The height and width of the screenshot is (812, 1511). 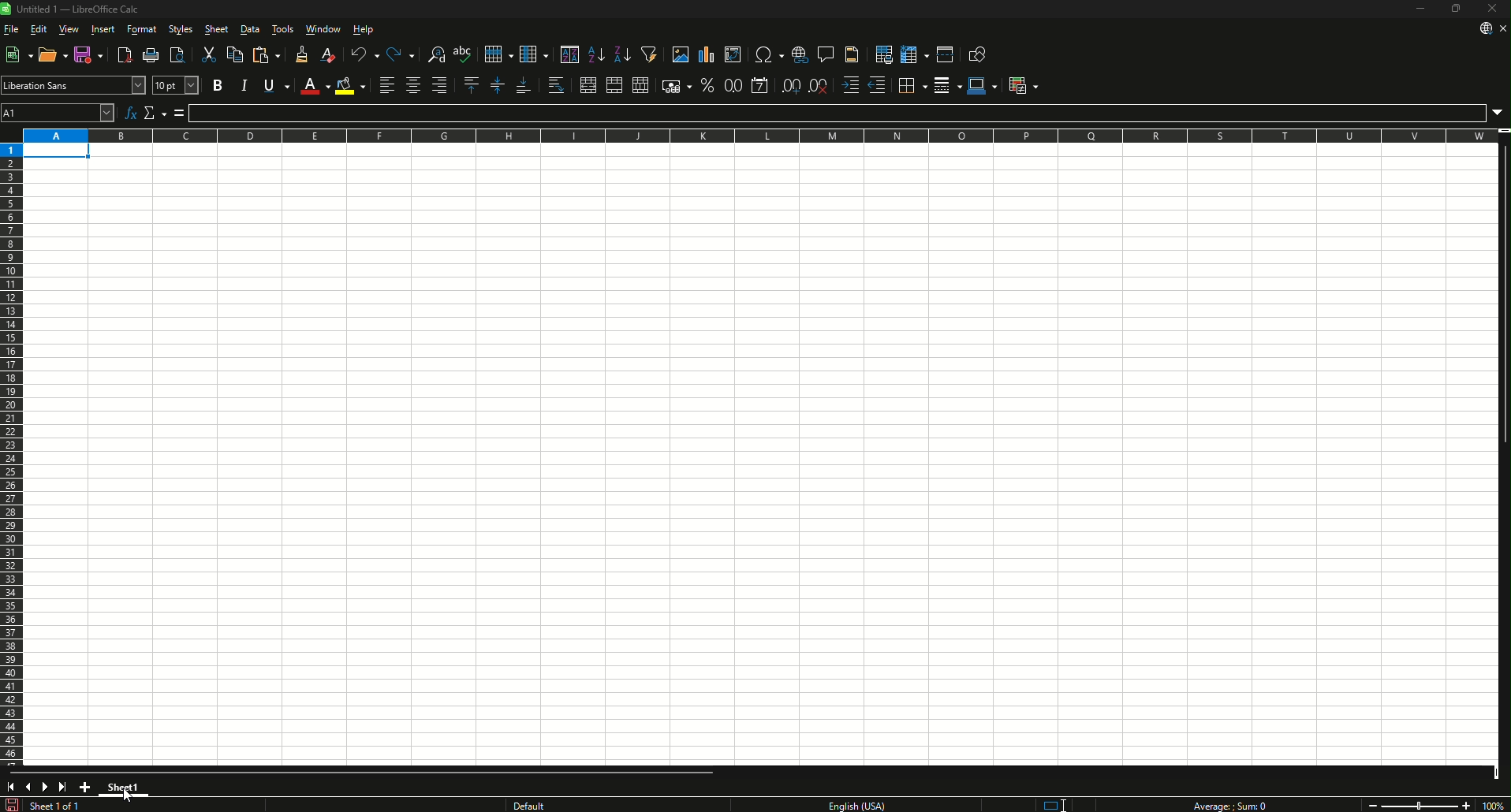 I want to click on Copy, so click(x=234, y=54).